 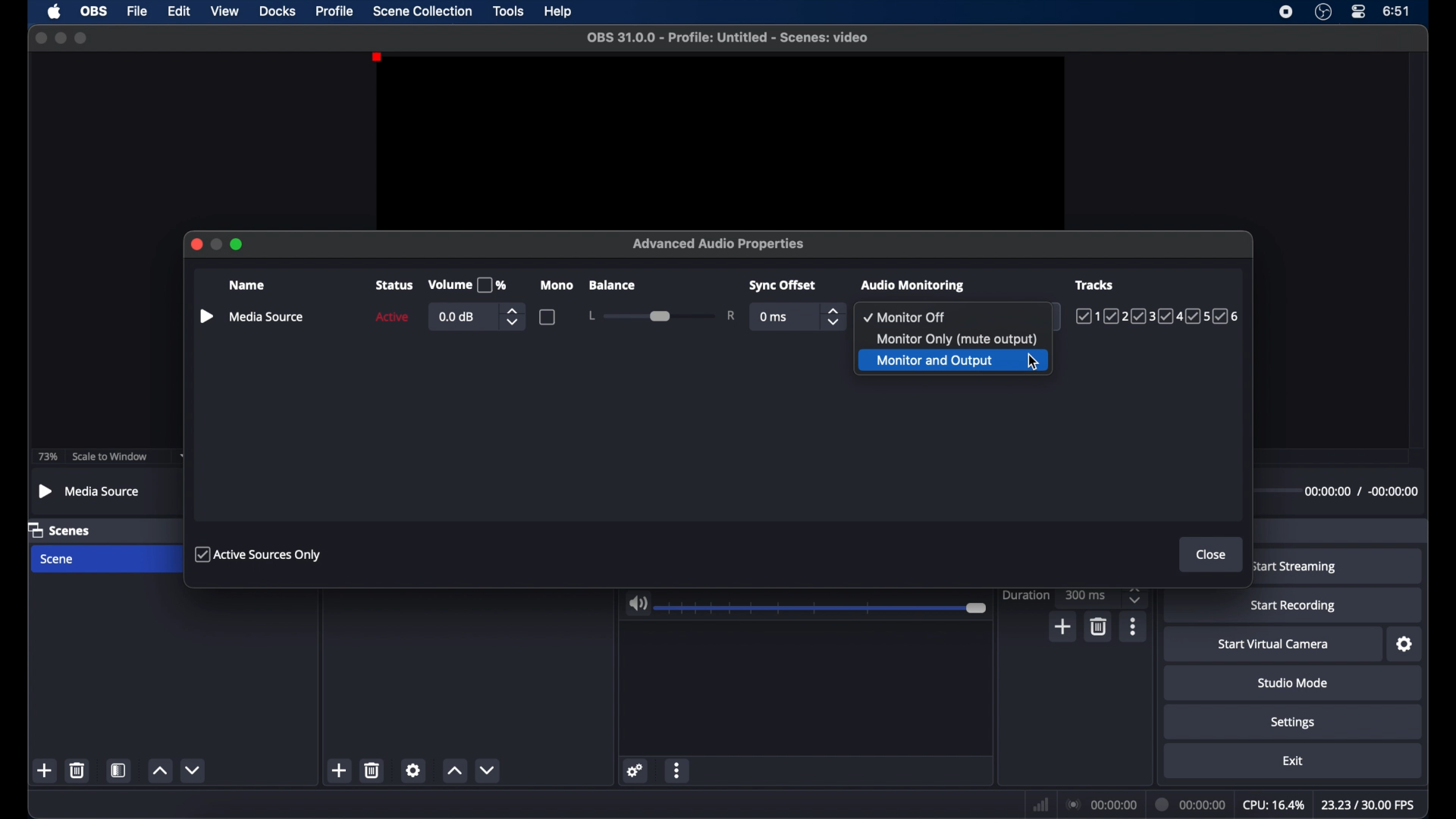 I want to click on add, so click(x=45, y=770).